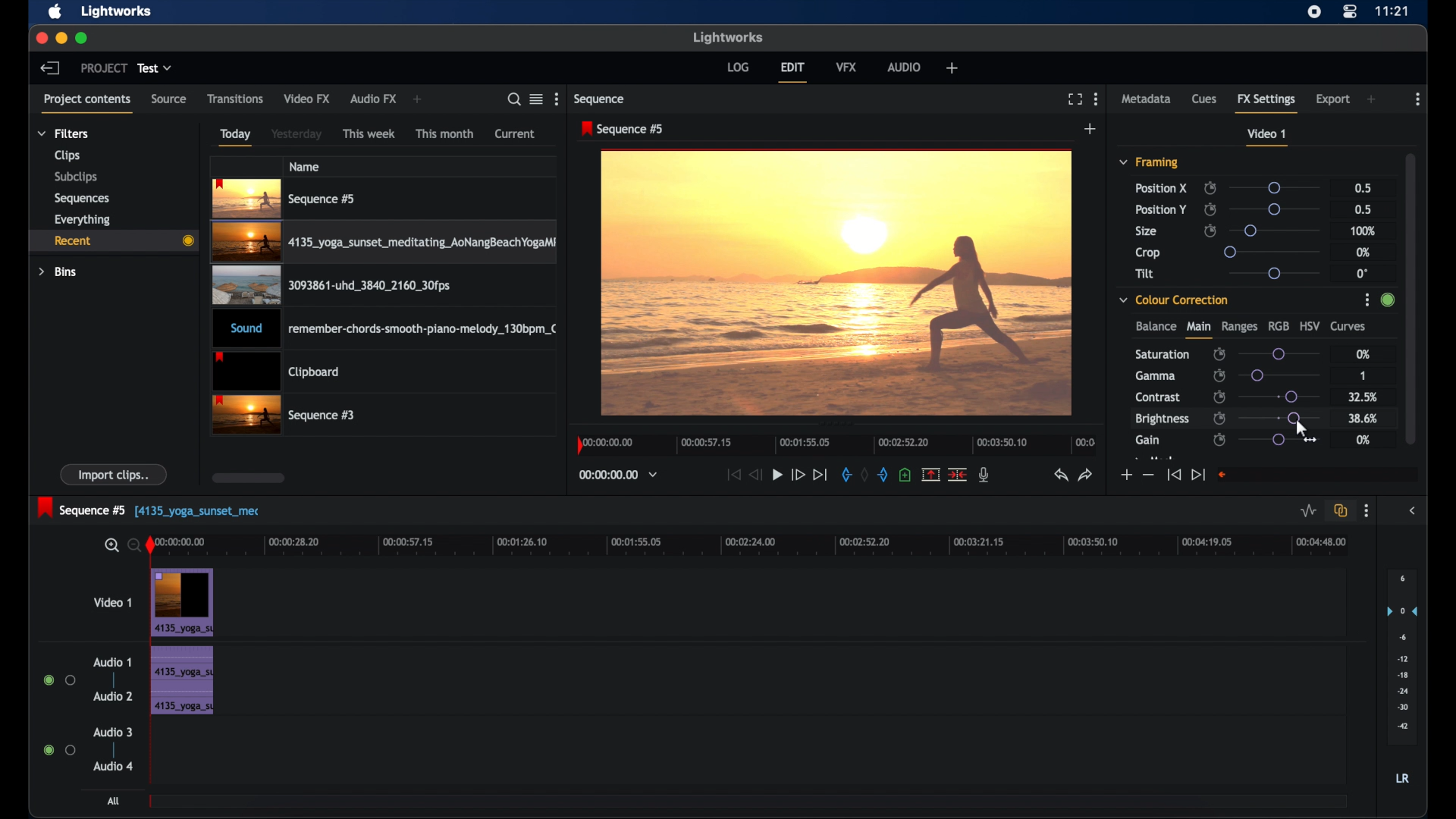  I want to click on moreoptions, so click(1097, 98).